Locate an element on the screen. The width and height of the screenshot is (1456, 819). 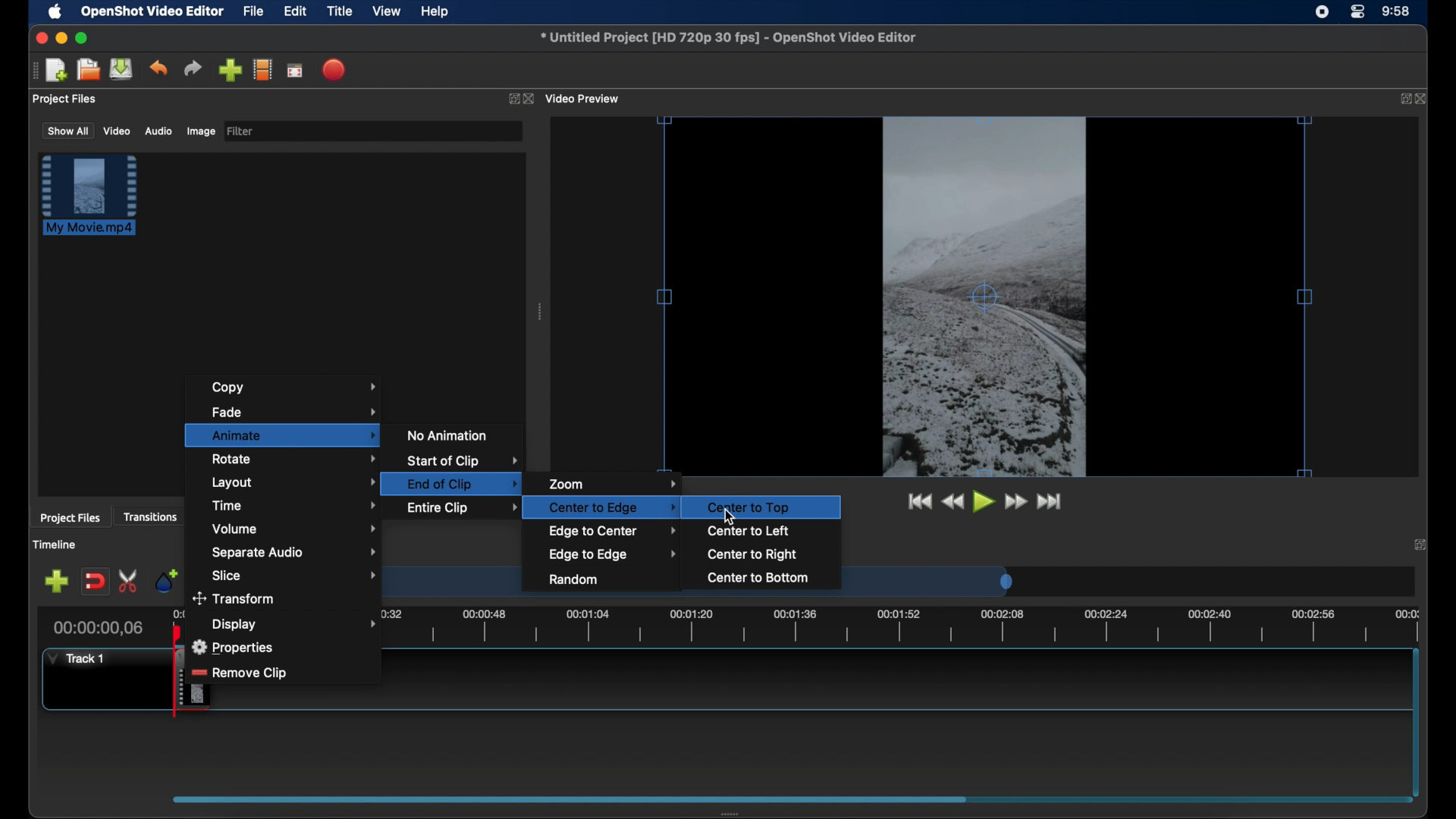
file name is located at coordinates (730, 38).